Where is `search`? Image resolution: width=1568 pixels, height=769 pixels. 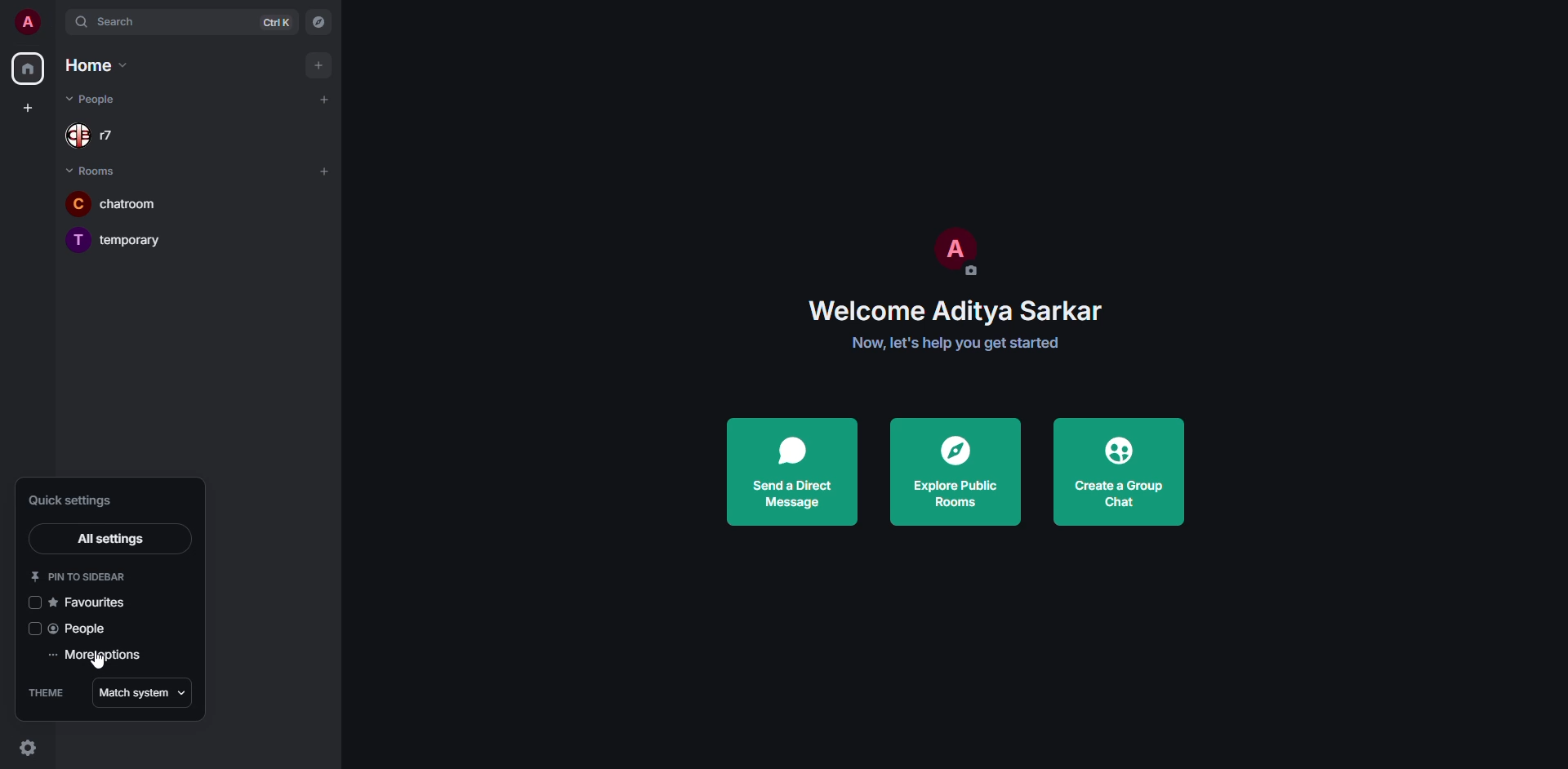
search is located at coordinates (119, 22).